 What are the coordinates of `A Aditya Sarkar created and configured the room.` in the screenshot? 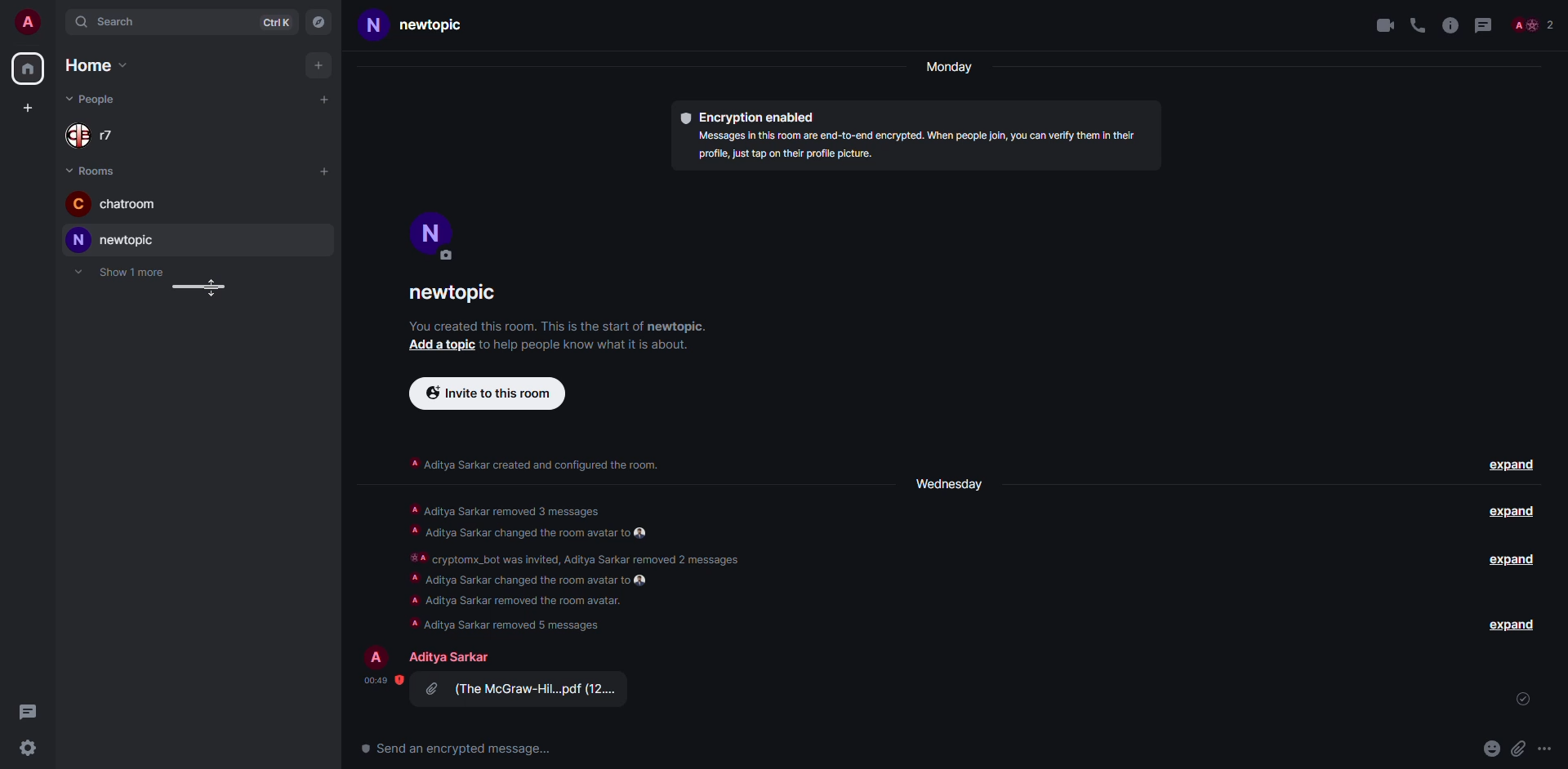 It's located at (532, 465).